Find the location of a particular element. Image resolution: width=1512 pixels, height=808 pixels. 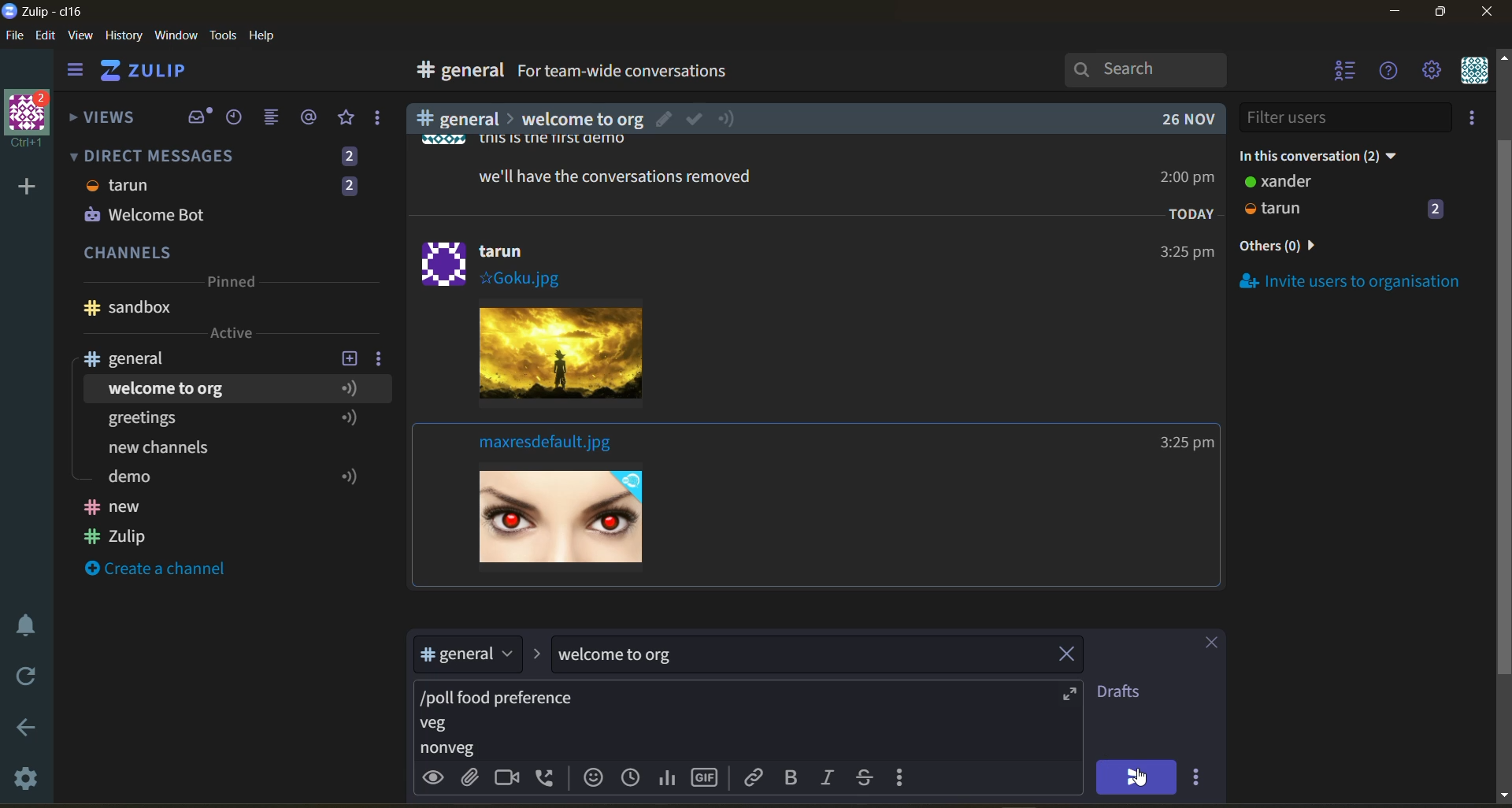

hide user list is located at coordinates (1346, 72).